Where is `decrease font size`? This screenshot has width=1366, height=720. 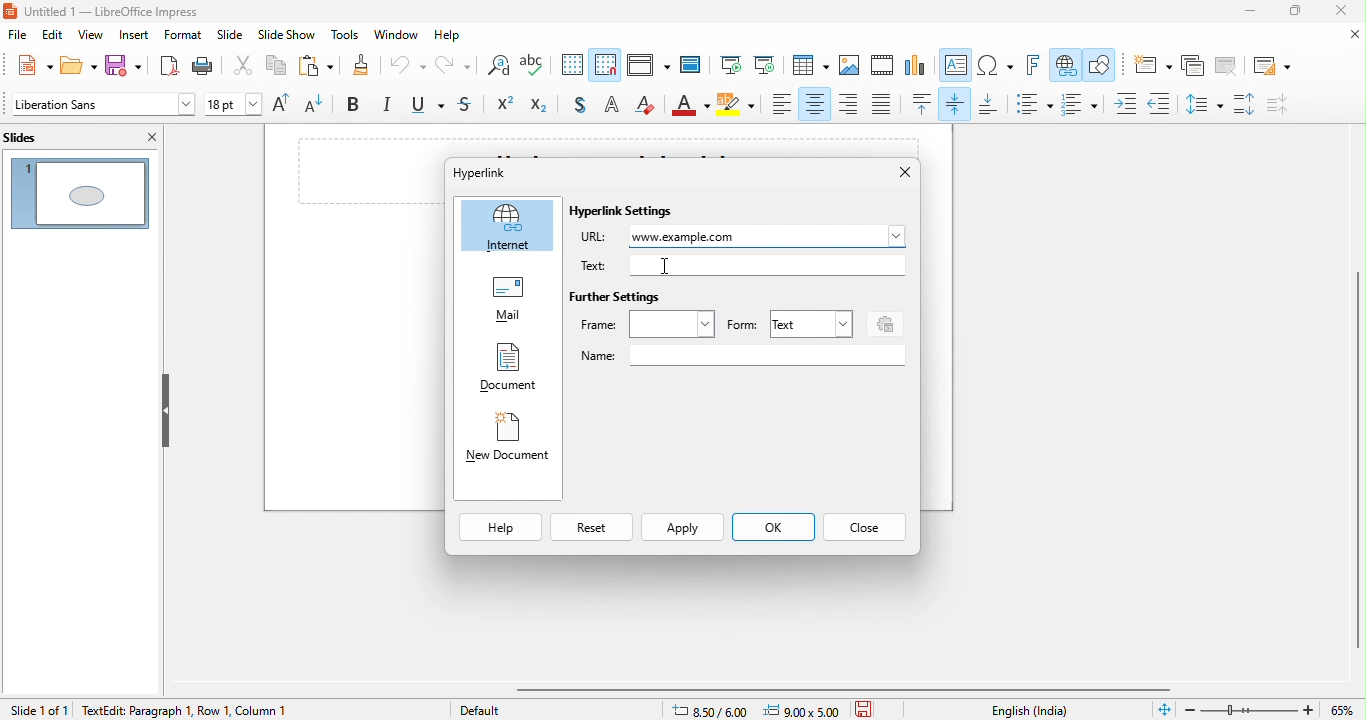 decrease font size is located at coordinates (321, 106).